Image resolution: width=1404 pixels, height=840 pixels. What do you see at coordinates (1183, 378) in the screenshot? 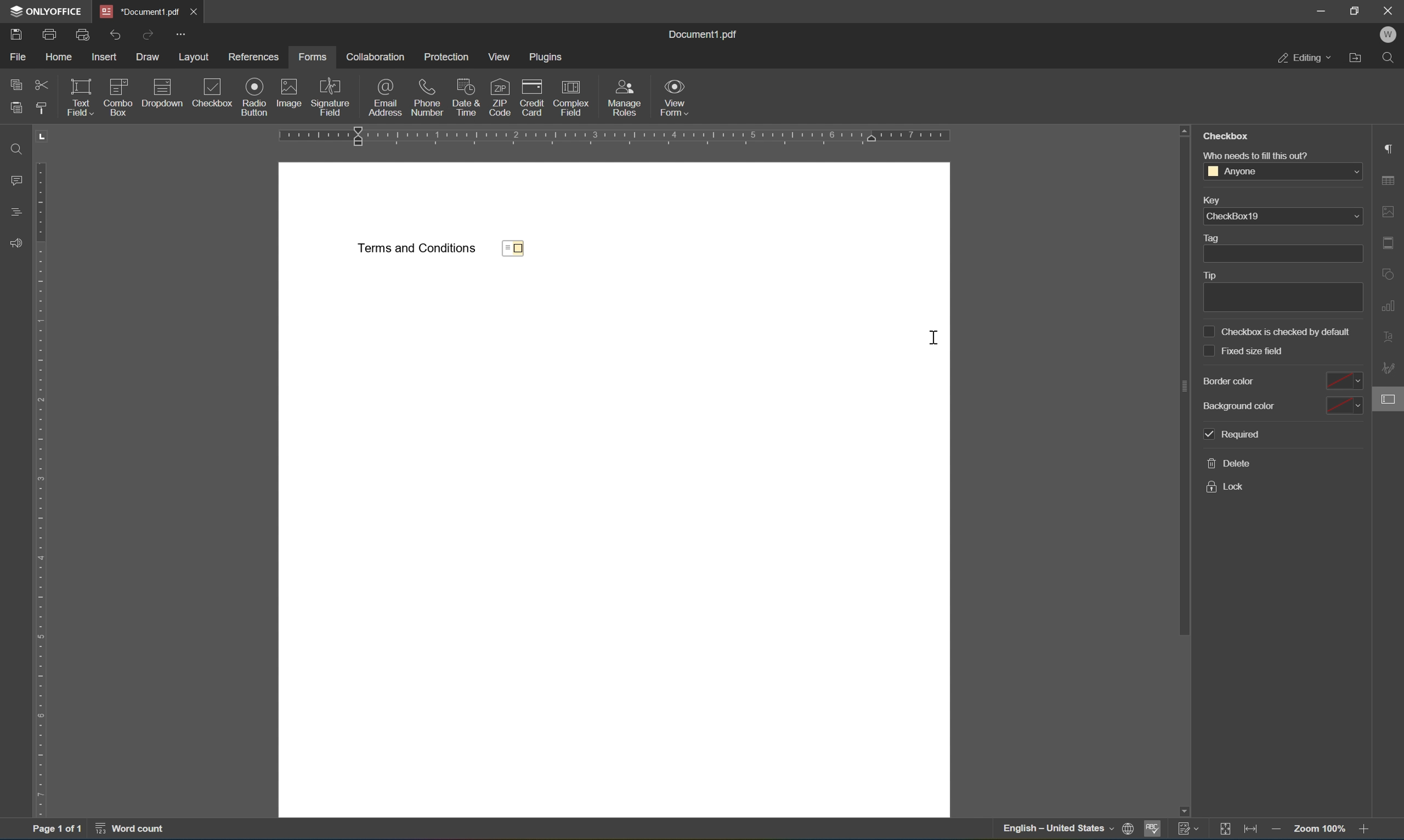
I see `scroll bar` at bounding box center [1183, 378].